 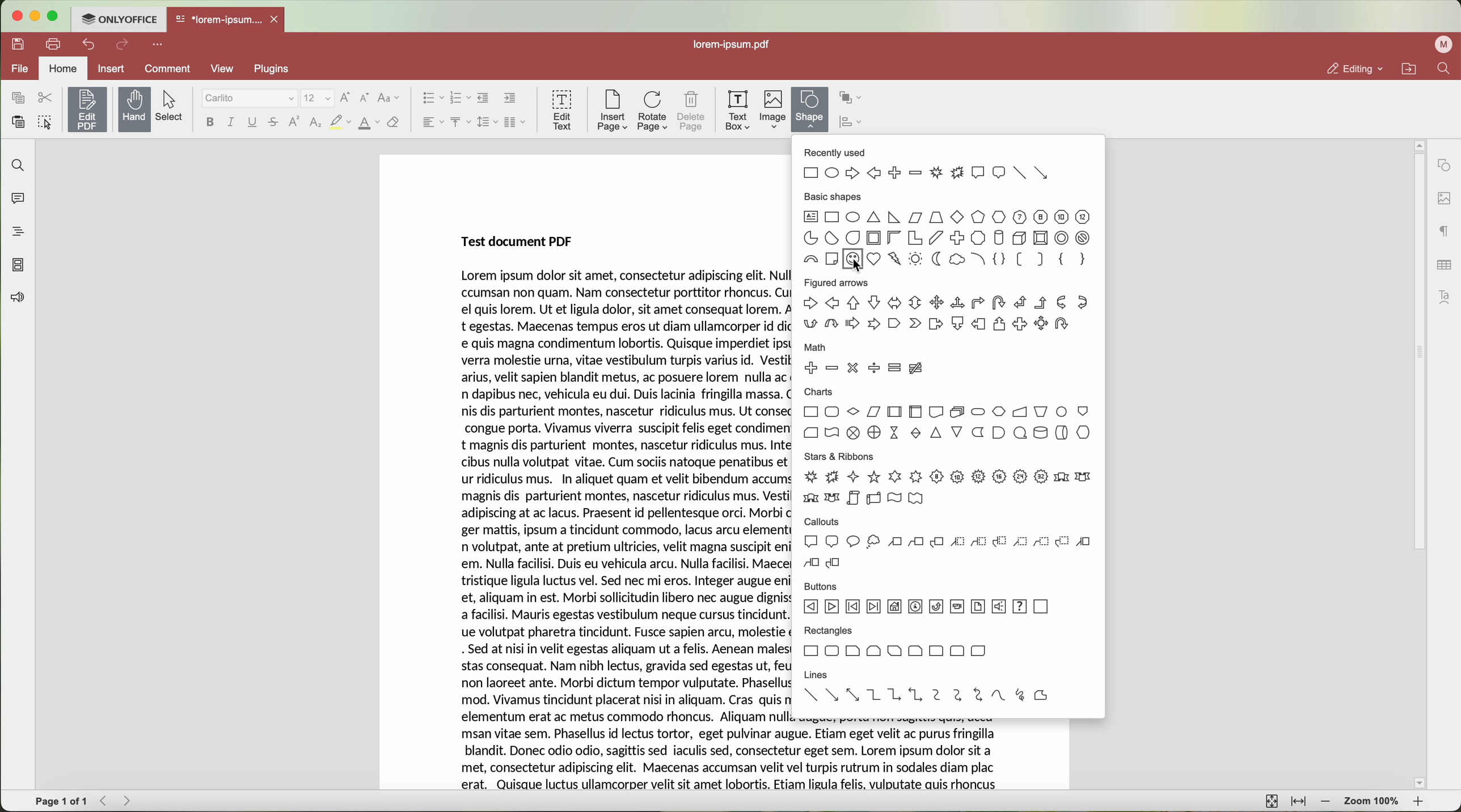 What do you see at coordinates (627, 529) in the screenshot?
I see `body text` at bounding box center [627, 529].